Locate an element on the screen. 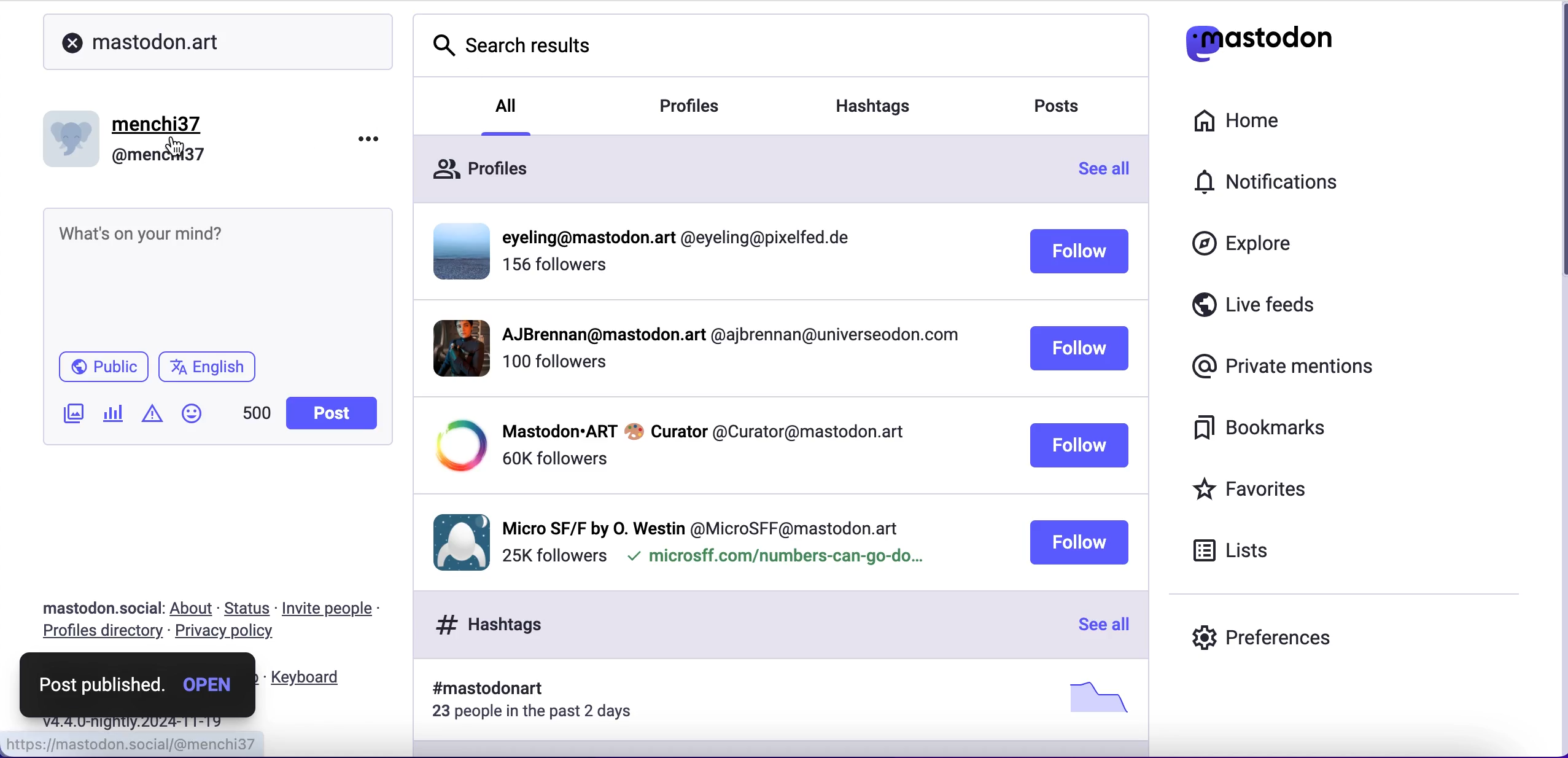  hashtag is located at coordinates (880, 108).